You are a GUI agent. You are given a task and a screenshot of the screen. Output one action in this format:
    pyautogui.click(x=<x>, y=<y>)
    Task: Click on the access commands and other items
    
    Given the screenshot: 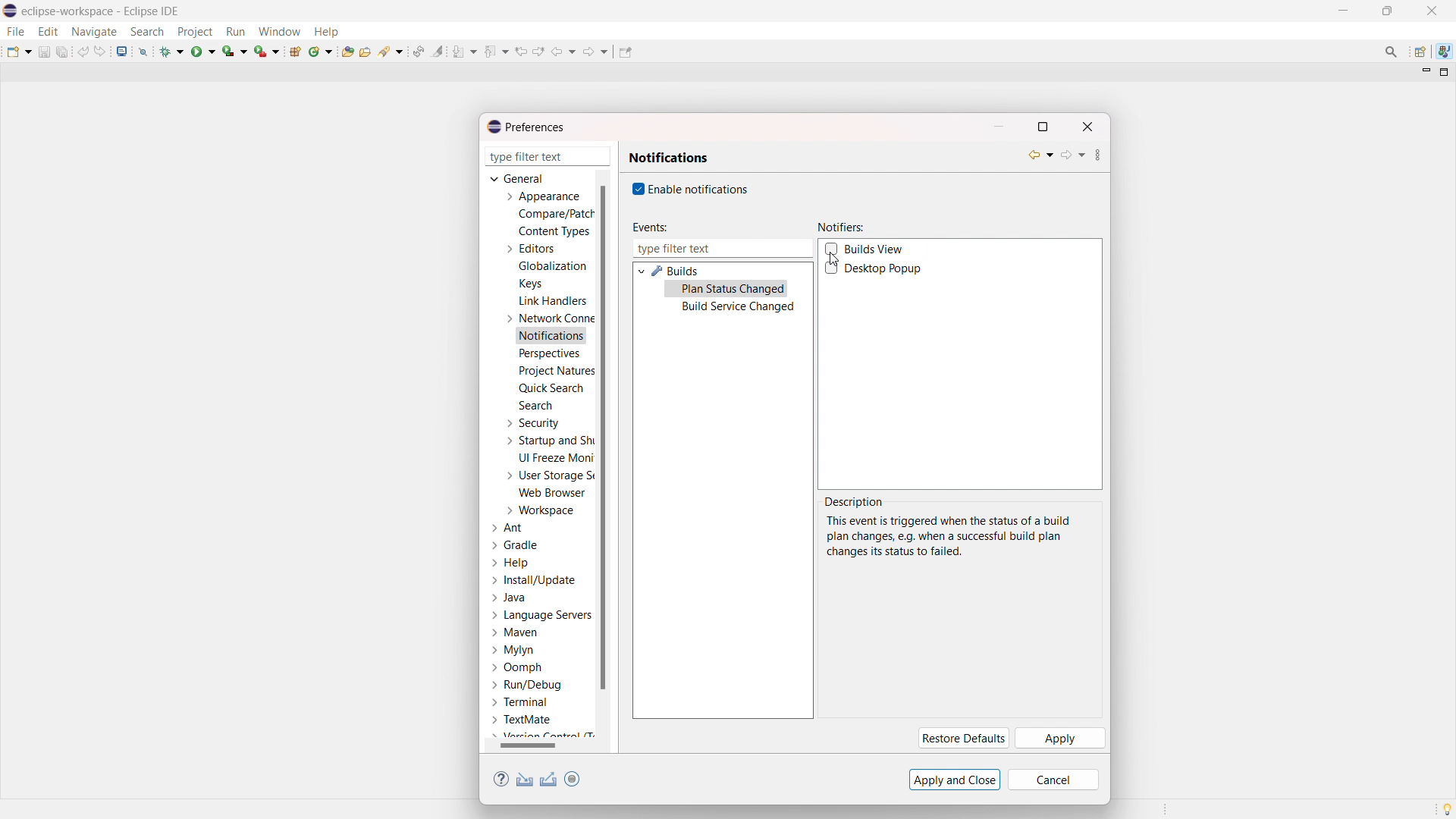 What is the action you would take?
    pyautogui.click(x=1392, y=52)
    